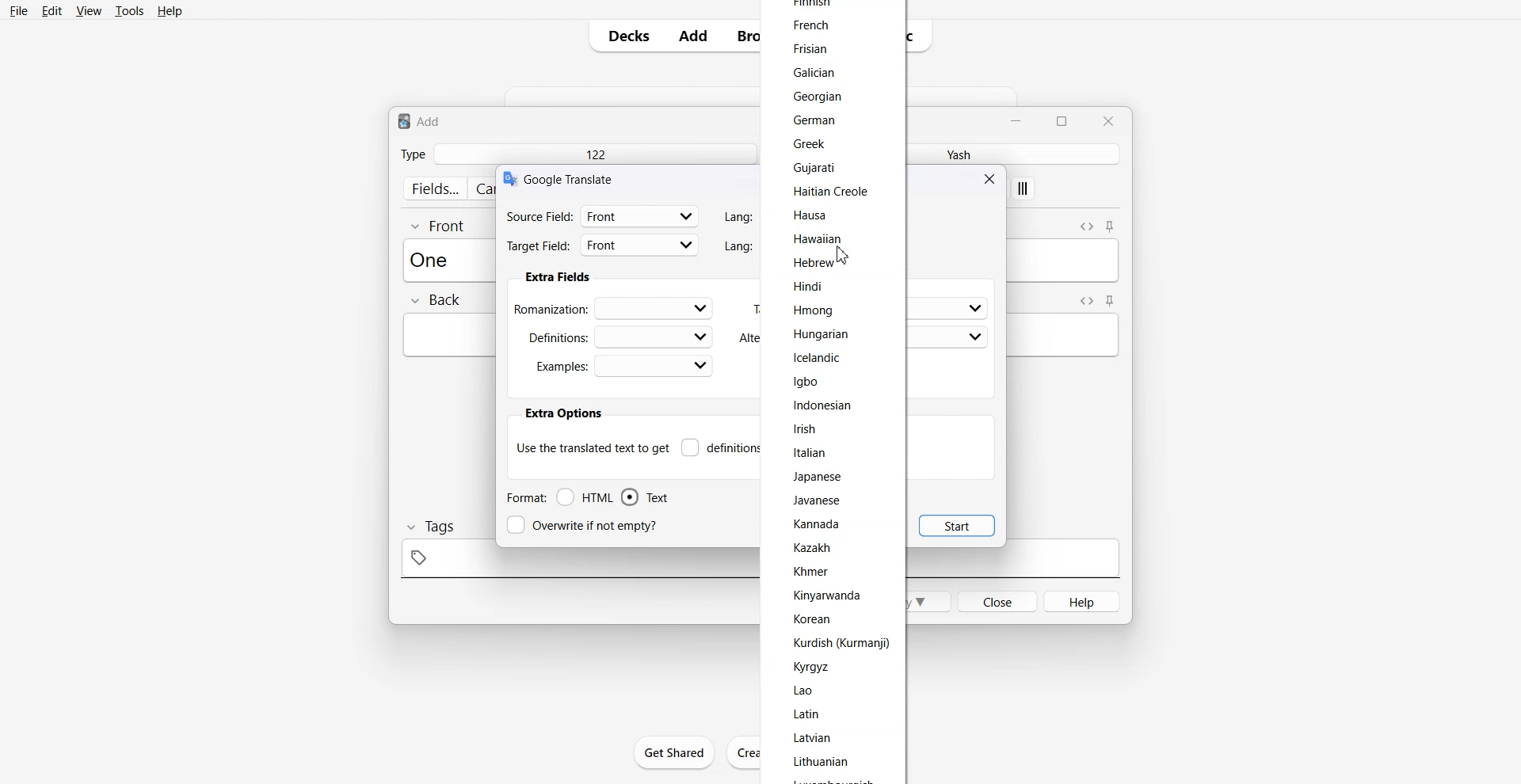  I want to click on Source filed, so click(603, 215).